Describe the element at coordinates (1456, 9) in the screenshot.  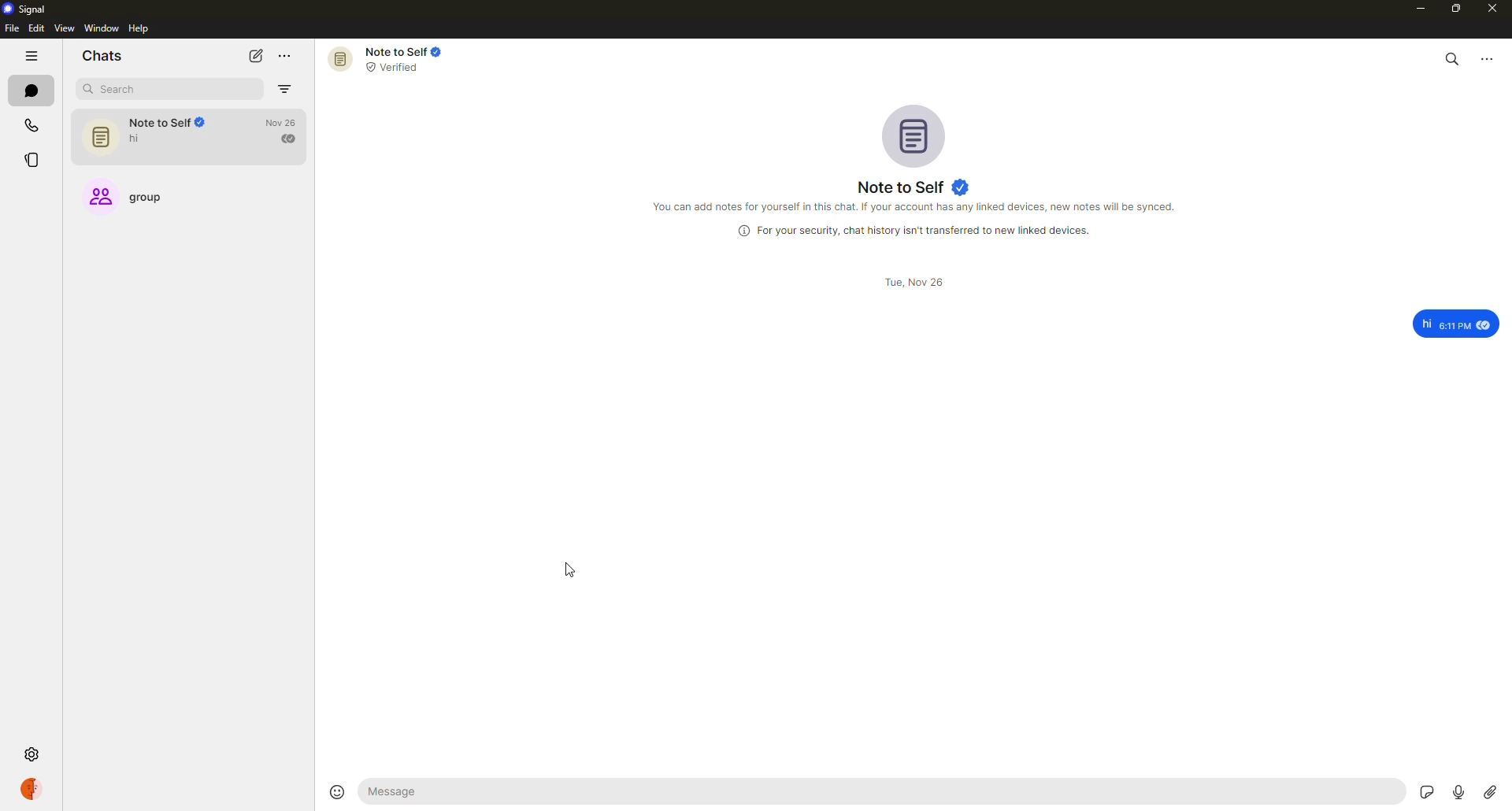
I see `maximize` at that location.